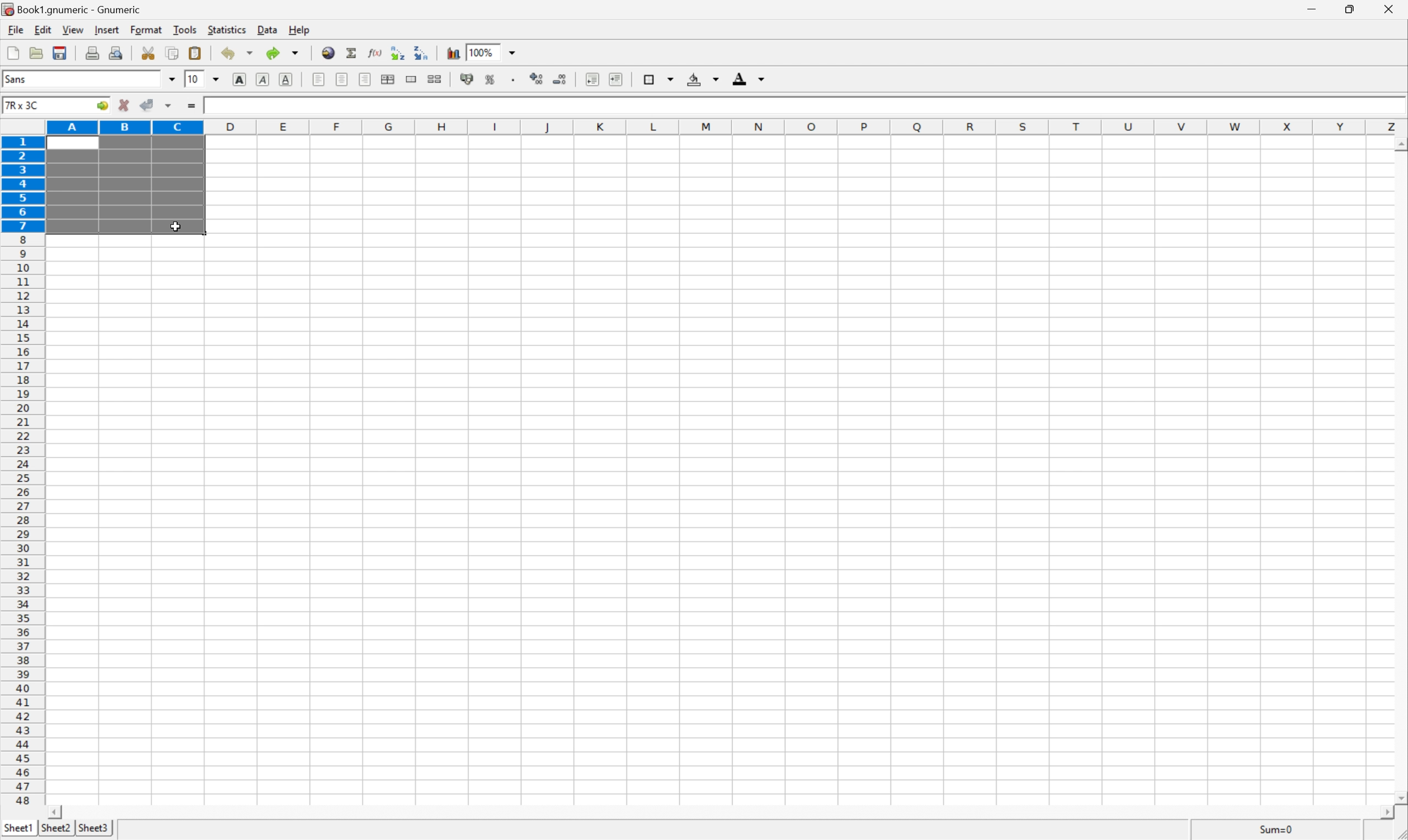 This screenshot has height=840, width=1408. What do you see at coordinates (468, 79) in the screenshot?
I see `format selection as accounting` at bounding box center [468, 79].